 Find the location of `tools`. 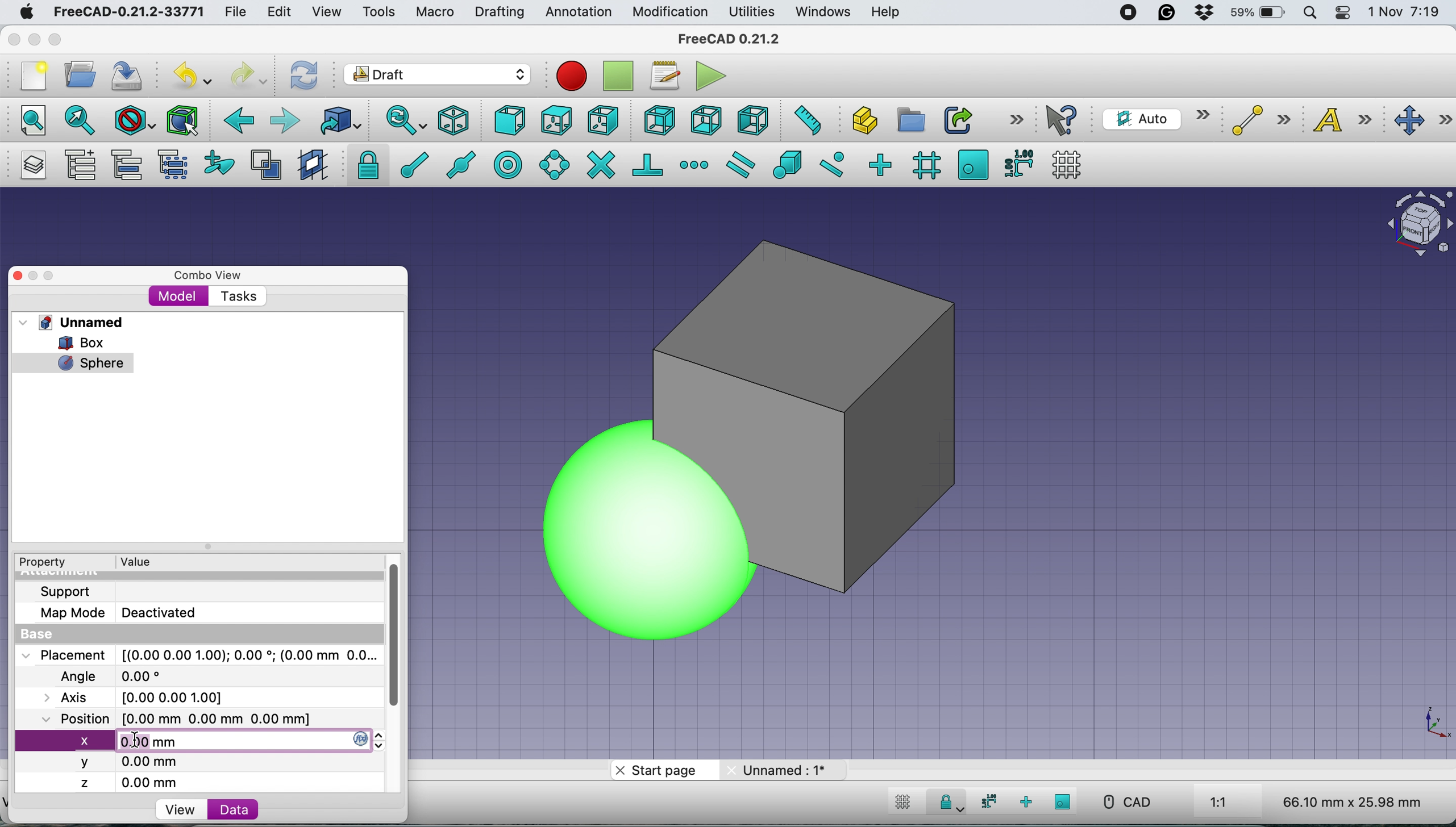

tools is located at coordinates (378, 13).